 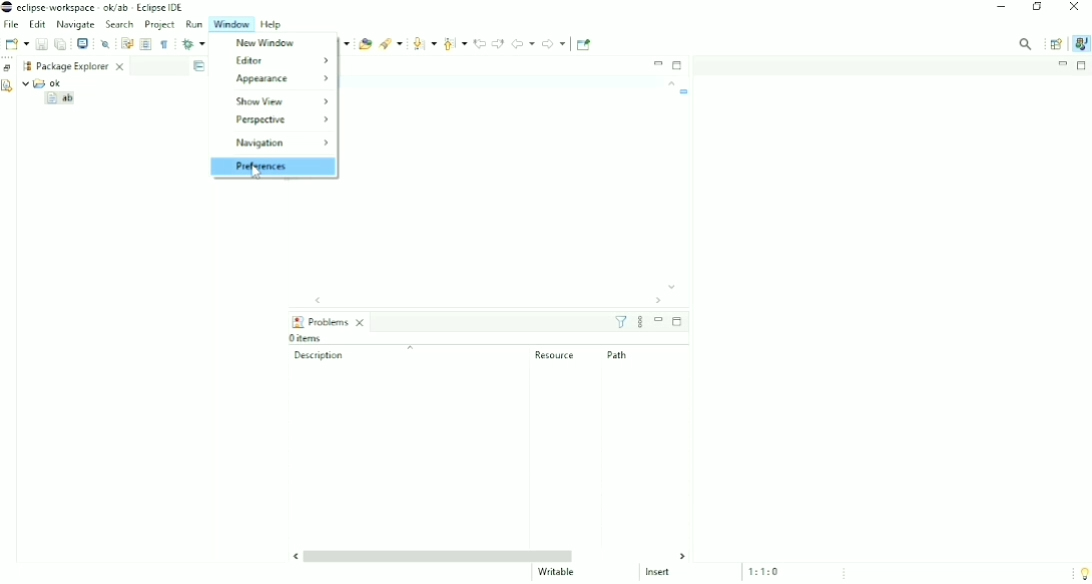 What do you see at coordinates (1039, 8) in the screenshot?
I see `Restore down` at bounding box center [1039, 8].